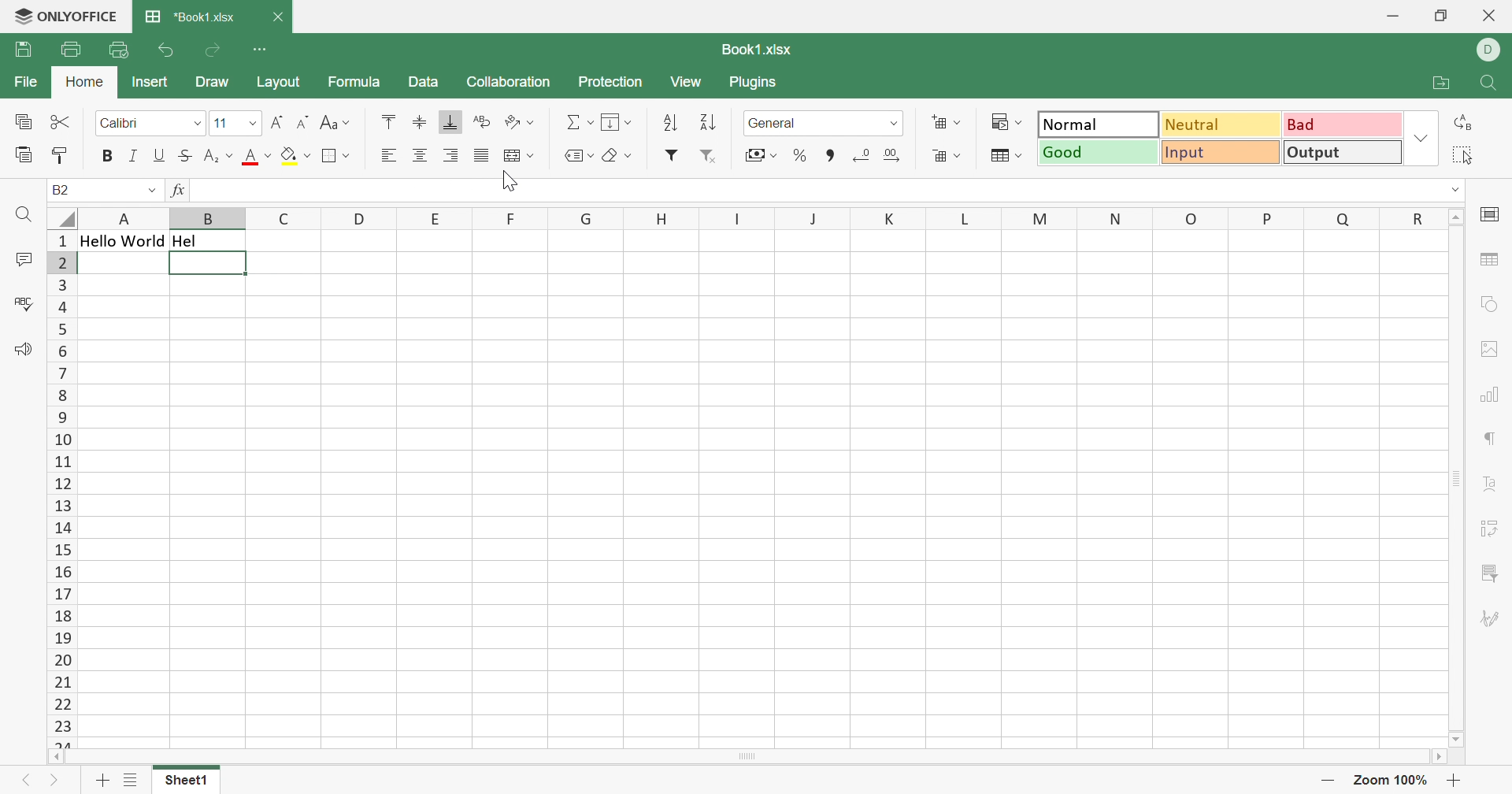 The width and height of the screenshot is (1512, 794). Describe the element at coordinates (1461, 154) in the screenshot. I see `Select all` at that location.